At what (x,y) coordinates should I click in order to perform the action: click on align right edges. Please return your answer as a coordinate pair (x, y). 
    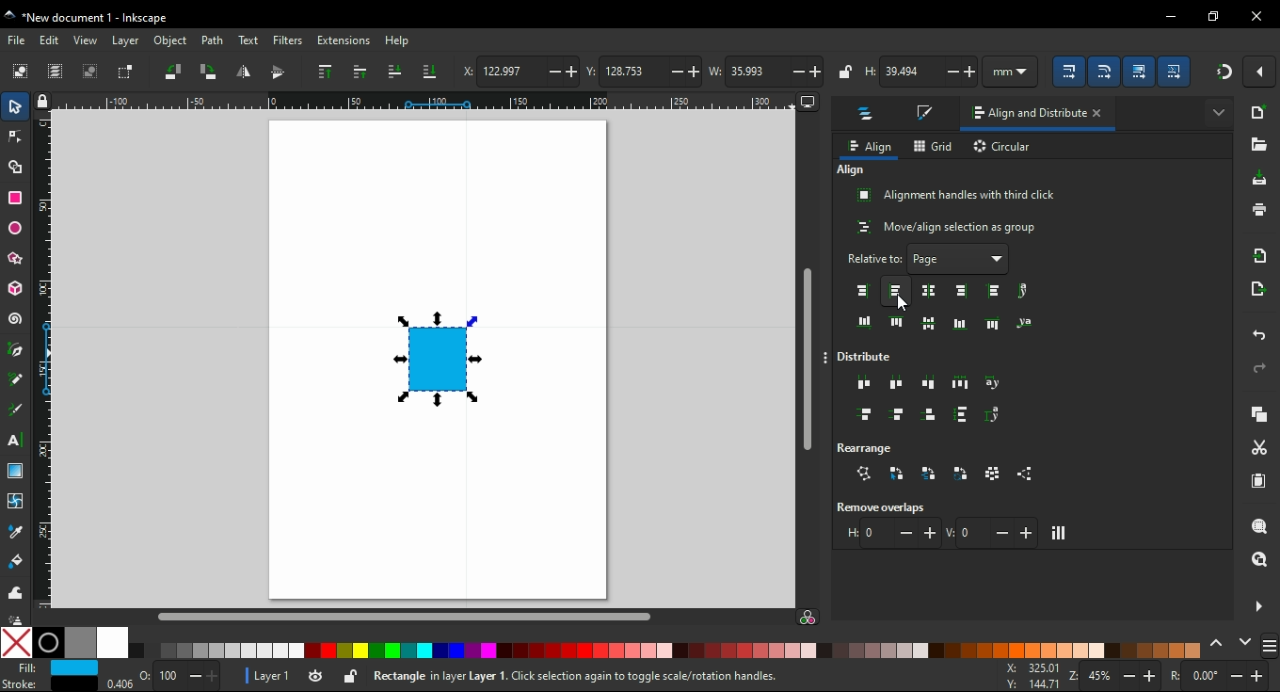
    Looking at the image, I should click on (961, 292).